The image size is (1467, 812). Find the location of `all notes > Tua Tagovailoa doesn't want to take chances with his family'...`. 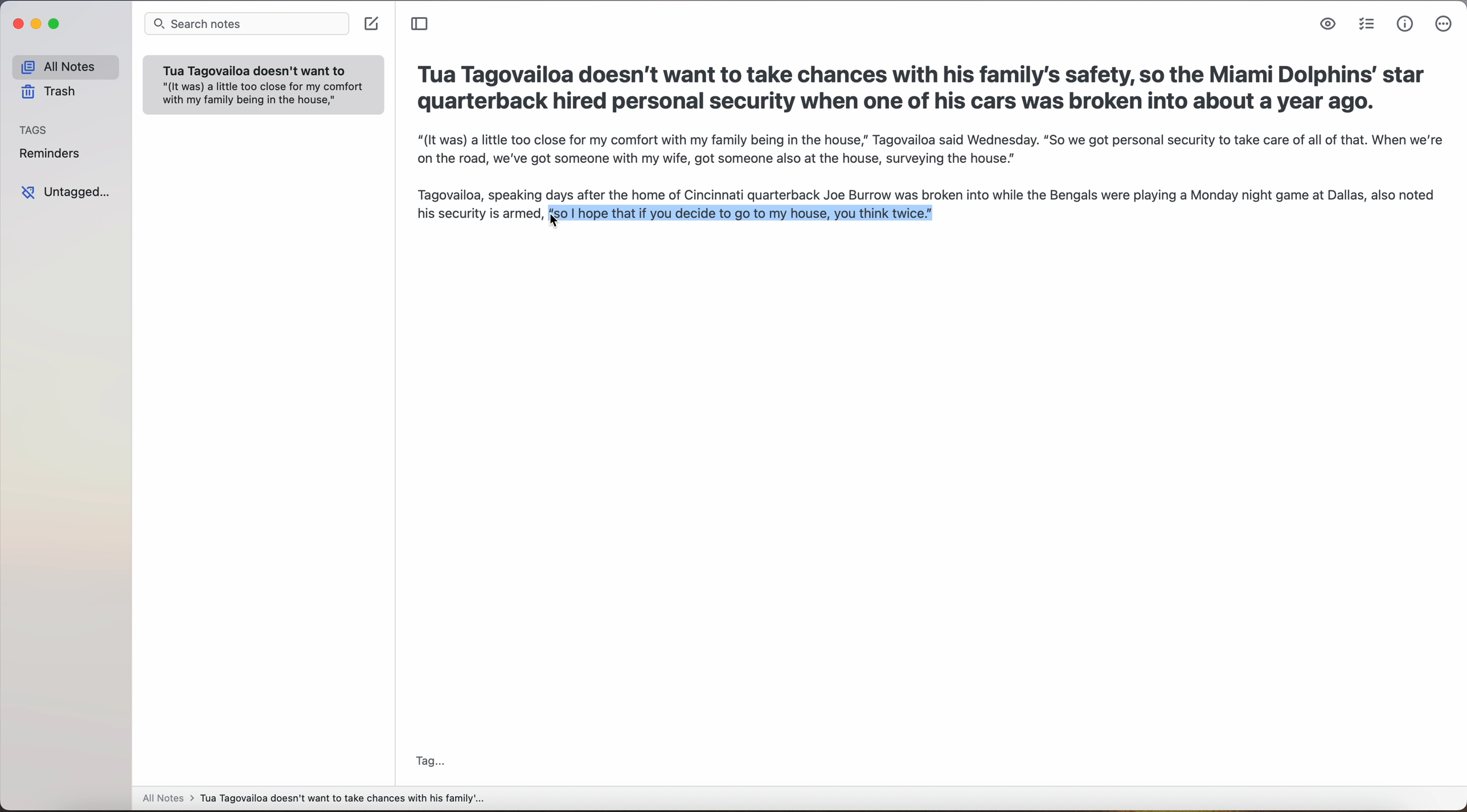

all notes > Tua Tagovailoa doesn't want to take chances with his family'... is located at coordinates (313, 799).